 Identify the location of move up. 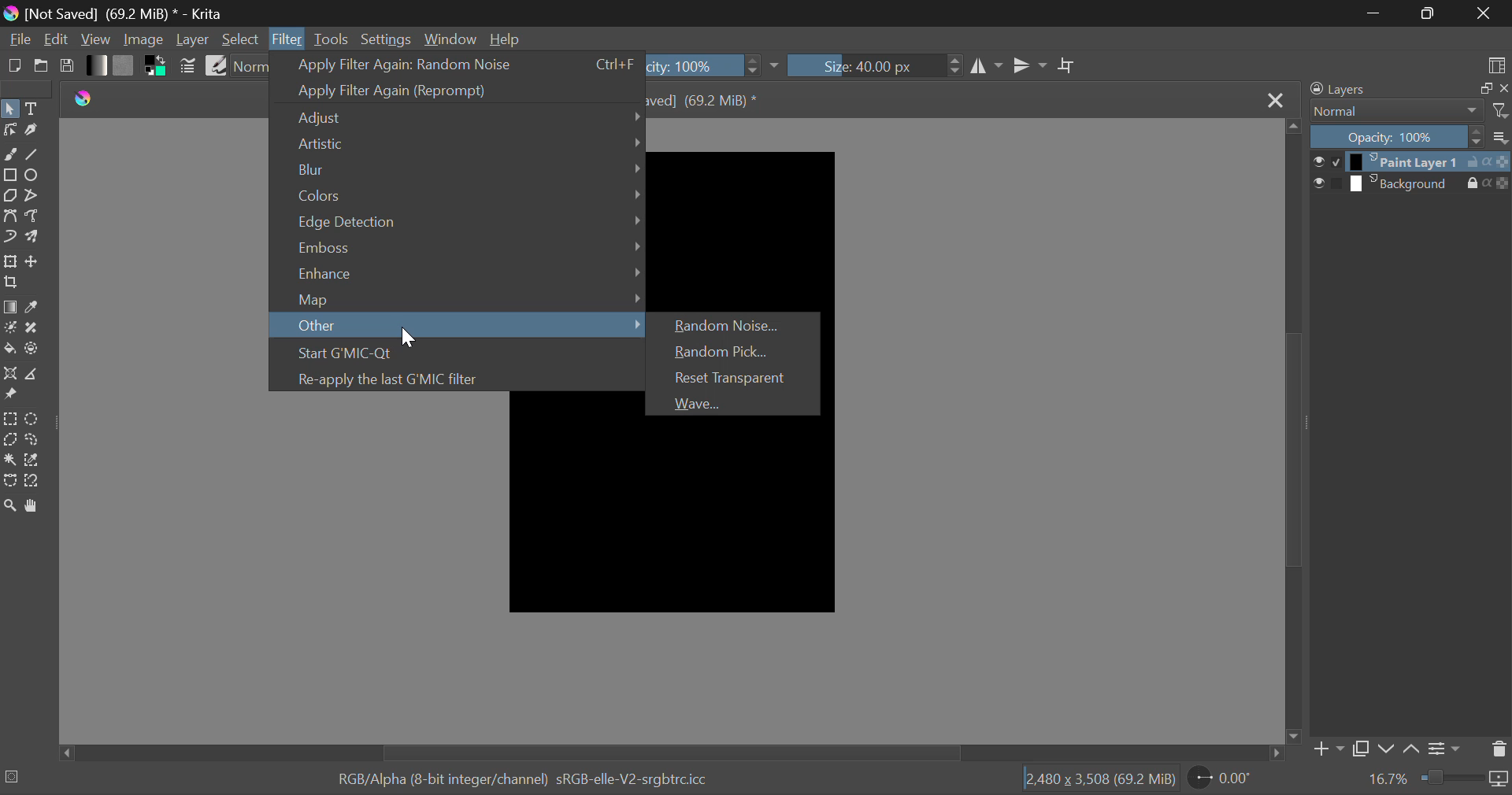
(1290, 124).